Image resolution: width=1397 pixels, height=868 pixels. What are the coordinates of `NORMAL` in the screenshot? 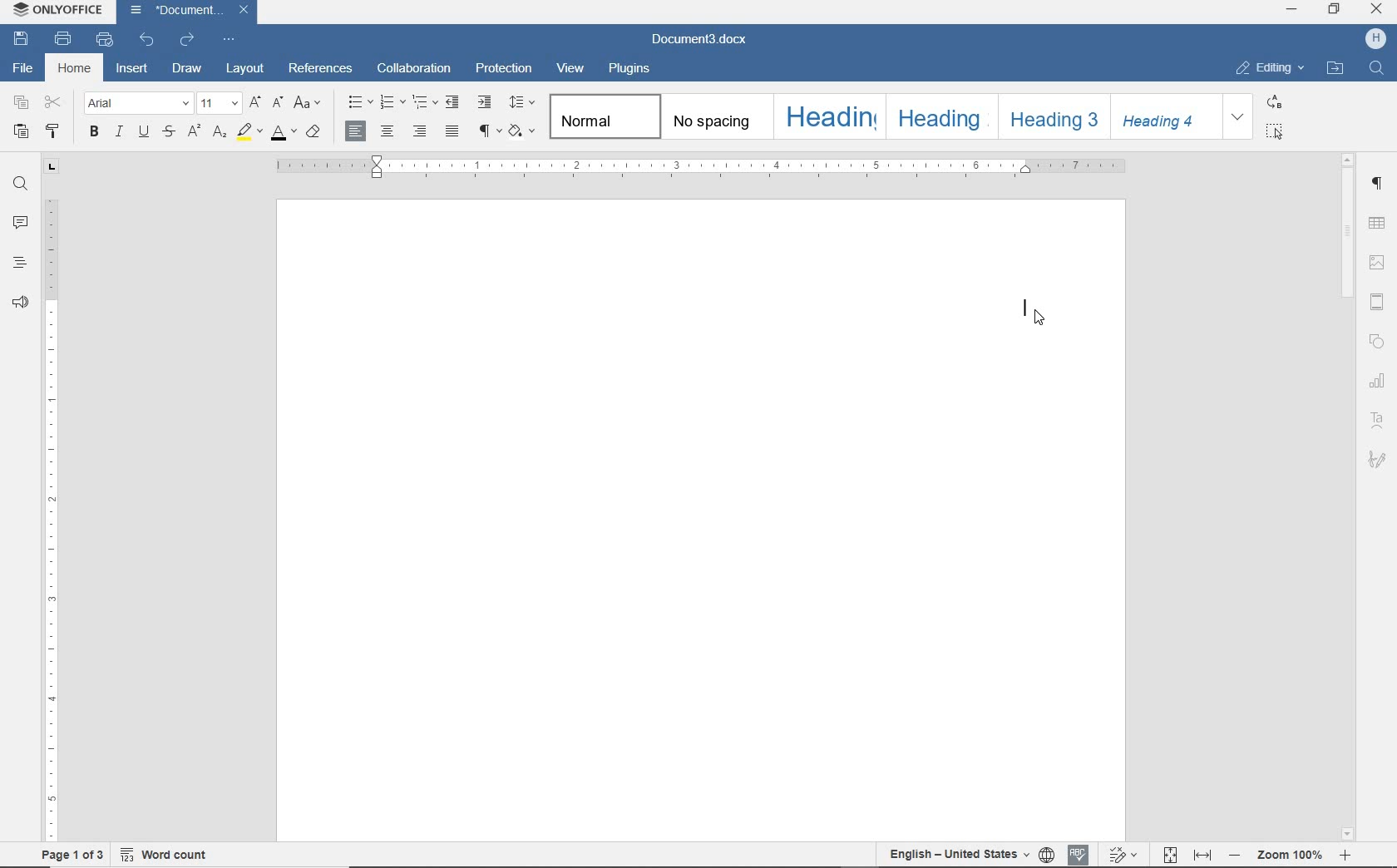 It's located at (601, 116).